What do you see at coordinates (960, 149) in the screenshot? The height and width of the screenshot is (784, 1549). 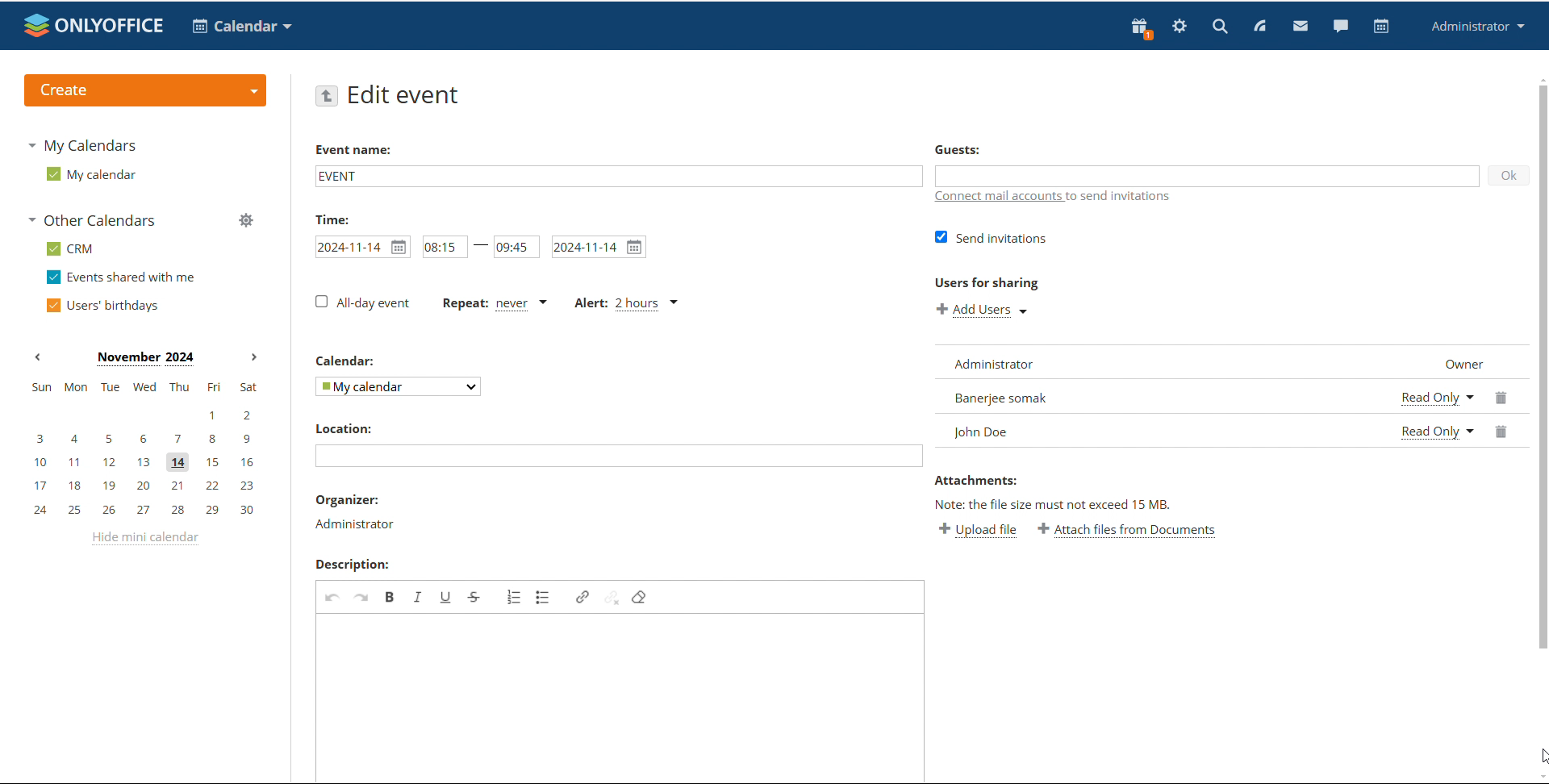 I see `Guests` at bounding box center [960, 149].